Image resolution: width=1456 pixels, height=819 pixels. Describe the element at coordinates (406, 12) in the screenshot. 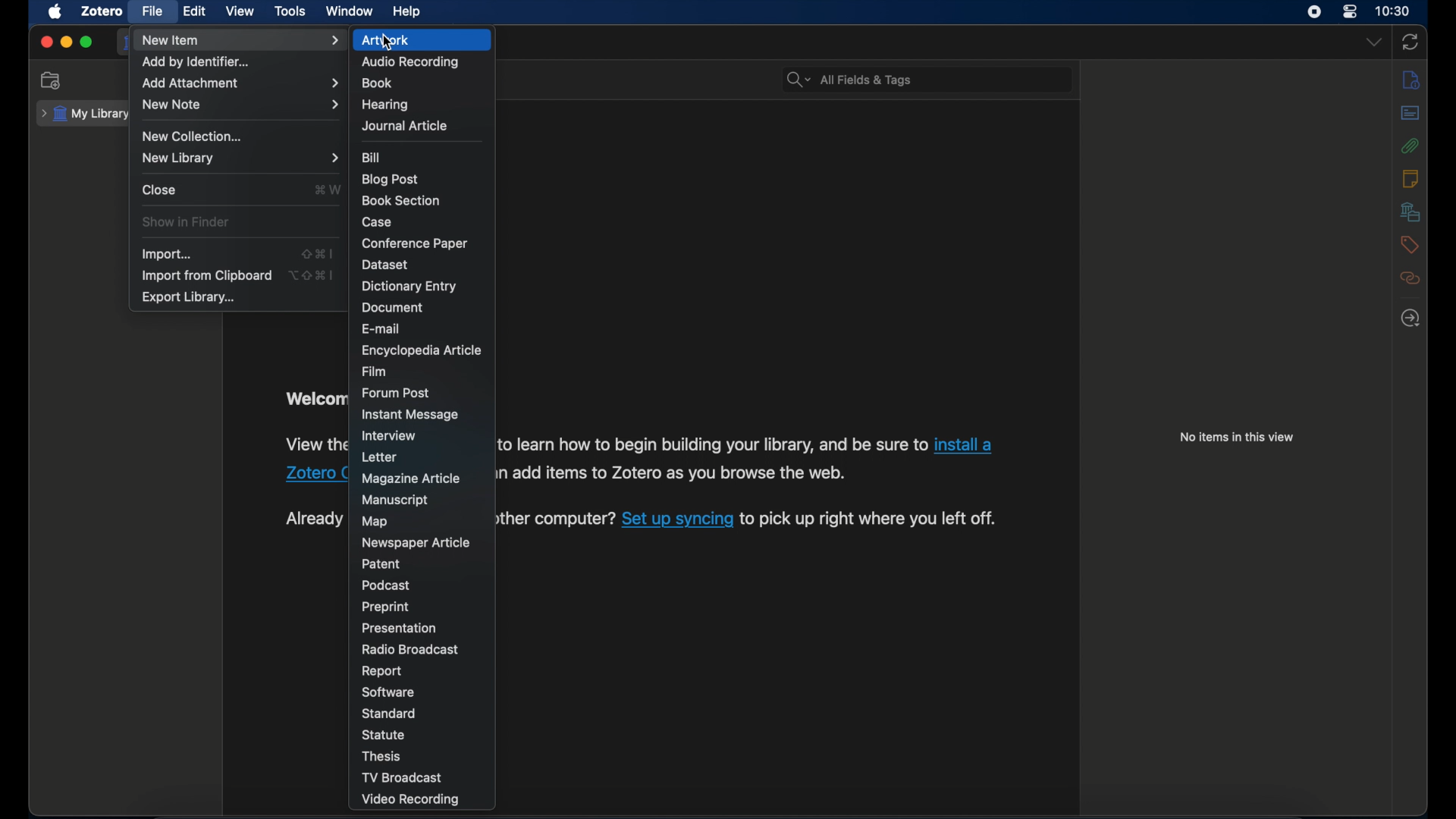

I see `help` at that location.